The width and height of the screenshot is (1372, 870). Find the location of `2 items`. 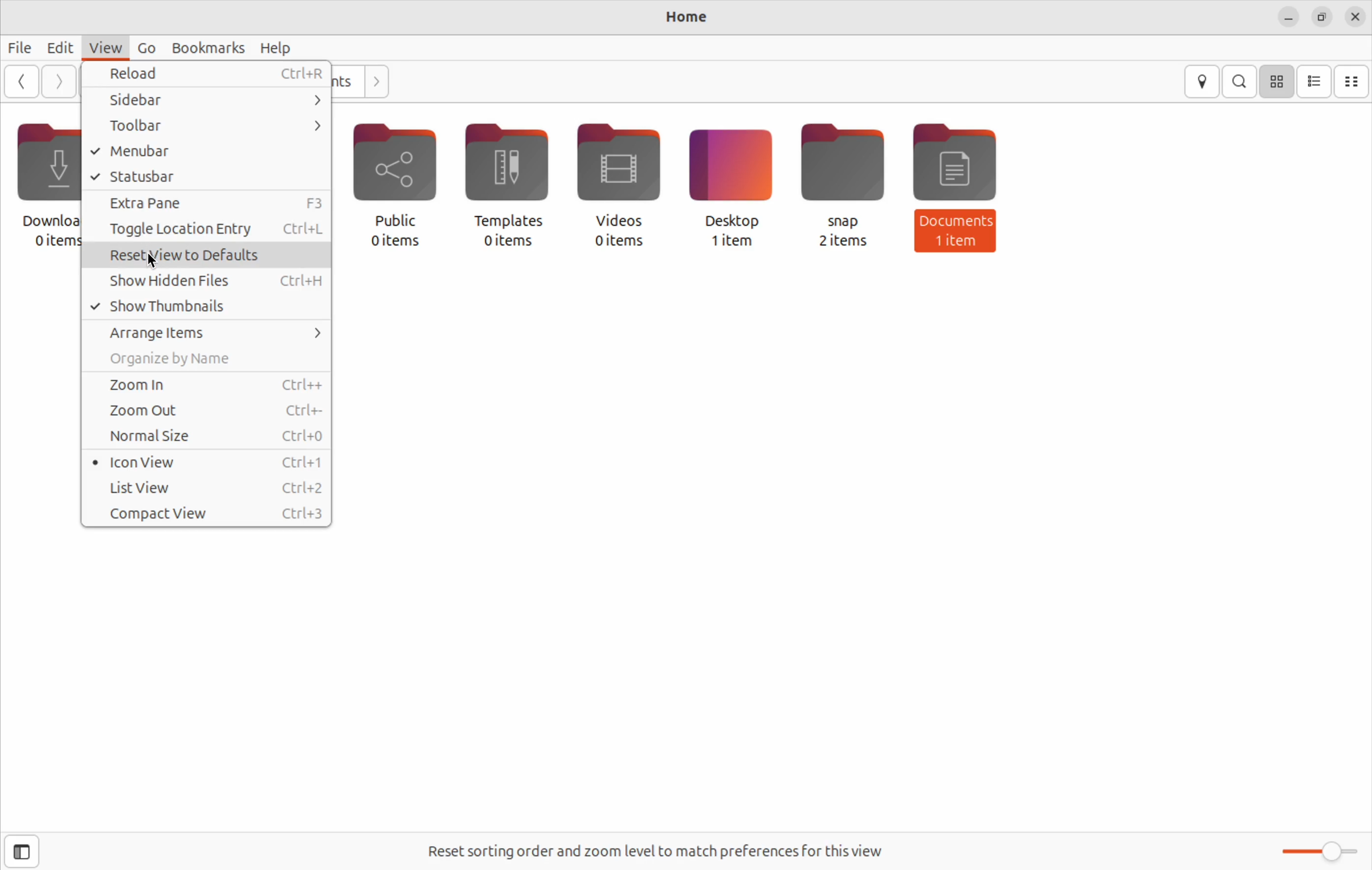

2 items is located at coordinates (847, 243).